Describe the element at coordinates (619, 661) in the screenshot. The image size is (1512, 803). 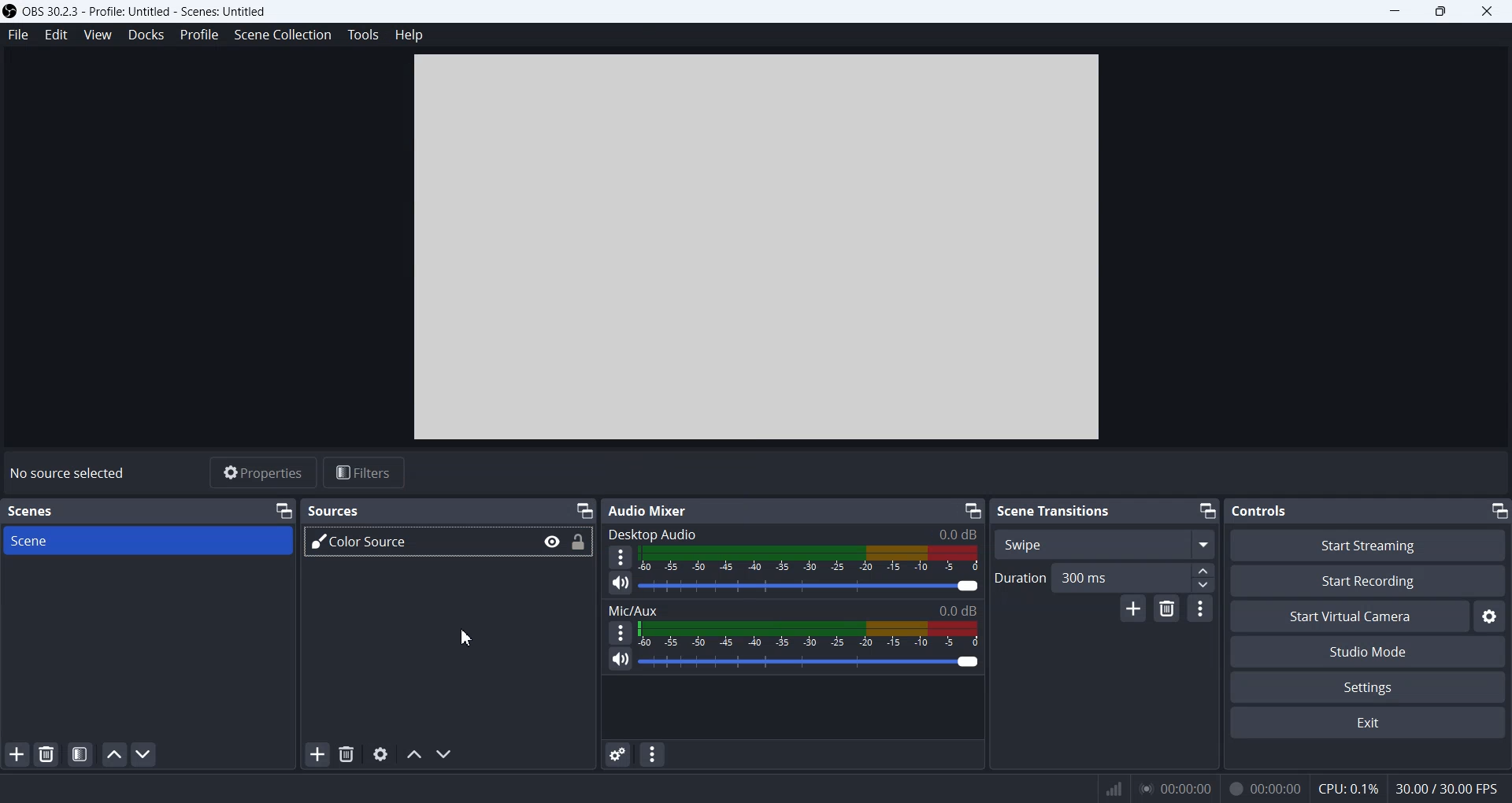
I see `Mute/ Unmute` at that location.